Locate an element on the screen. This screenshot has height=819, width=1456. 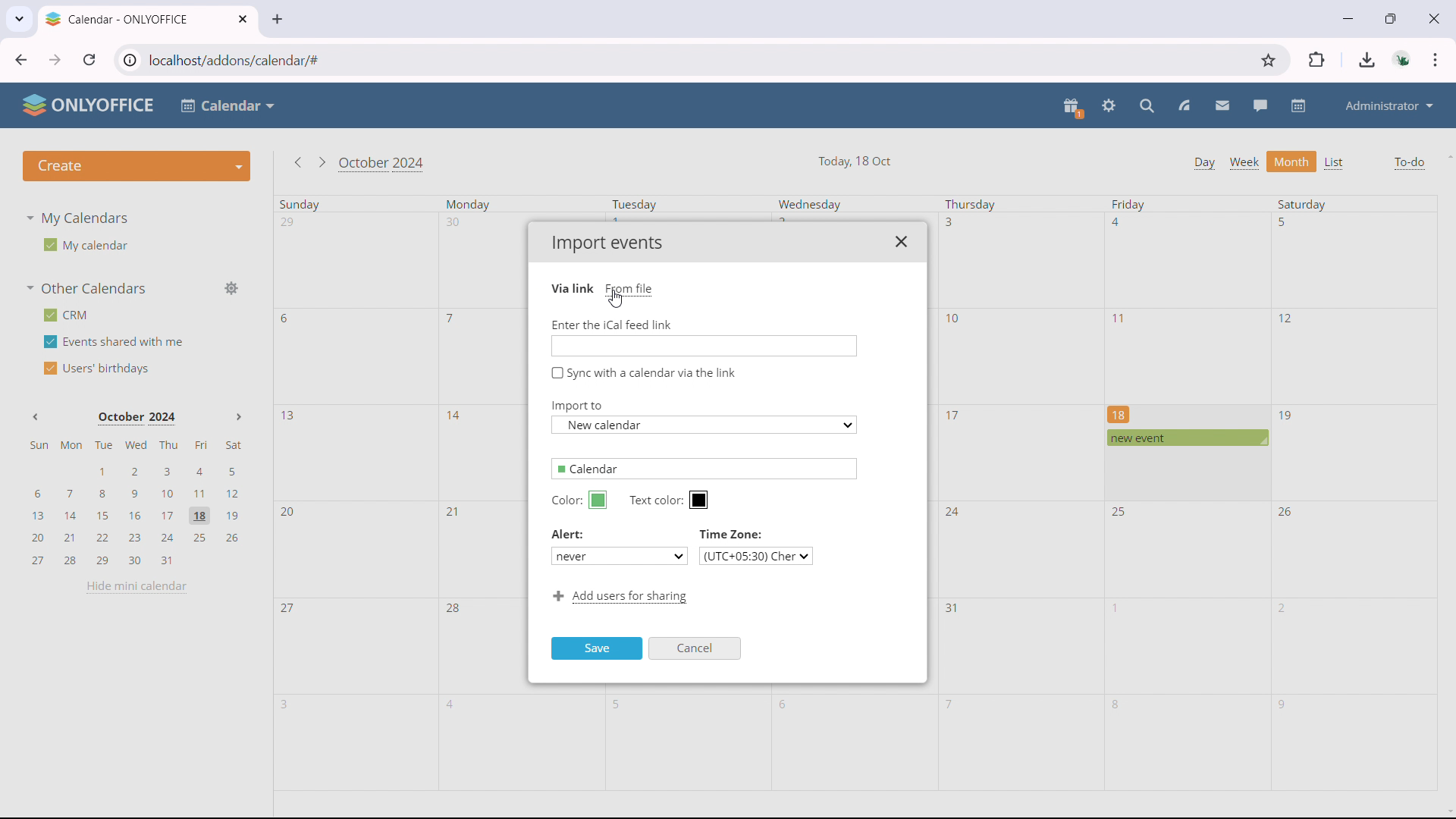
Calendar is located at coordinates (585, 468).